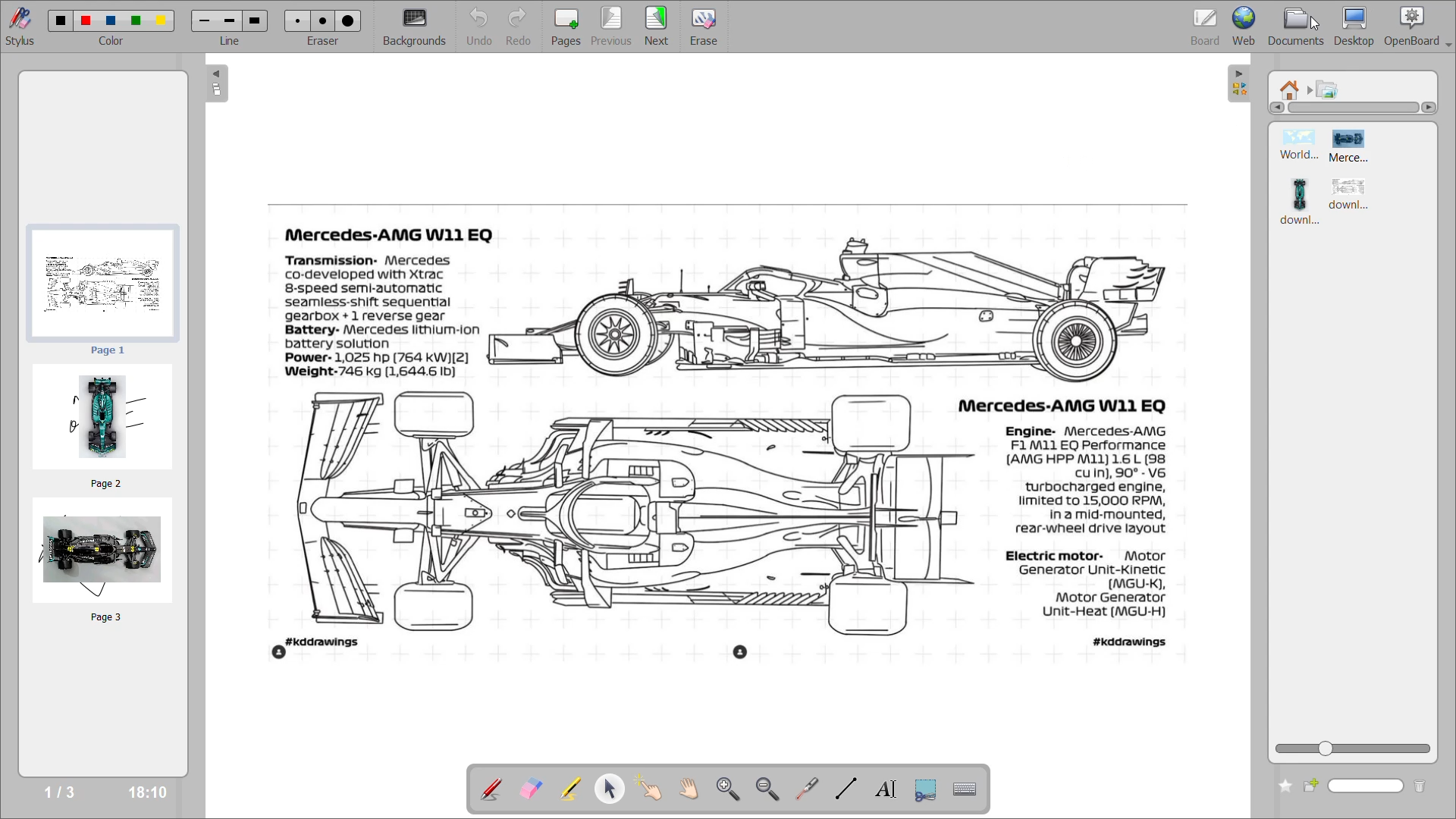 The image size is (1456, 819). I want to click on Electric motor- Motor Generator Unit-Kinetic(MGU-K), Motor Generator Unit-Heat (MGU-H), so click(1089, 585).